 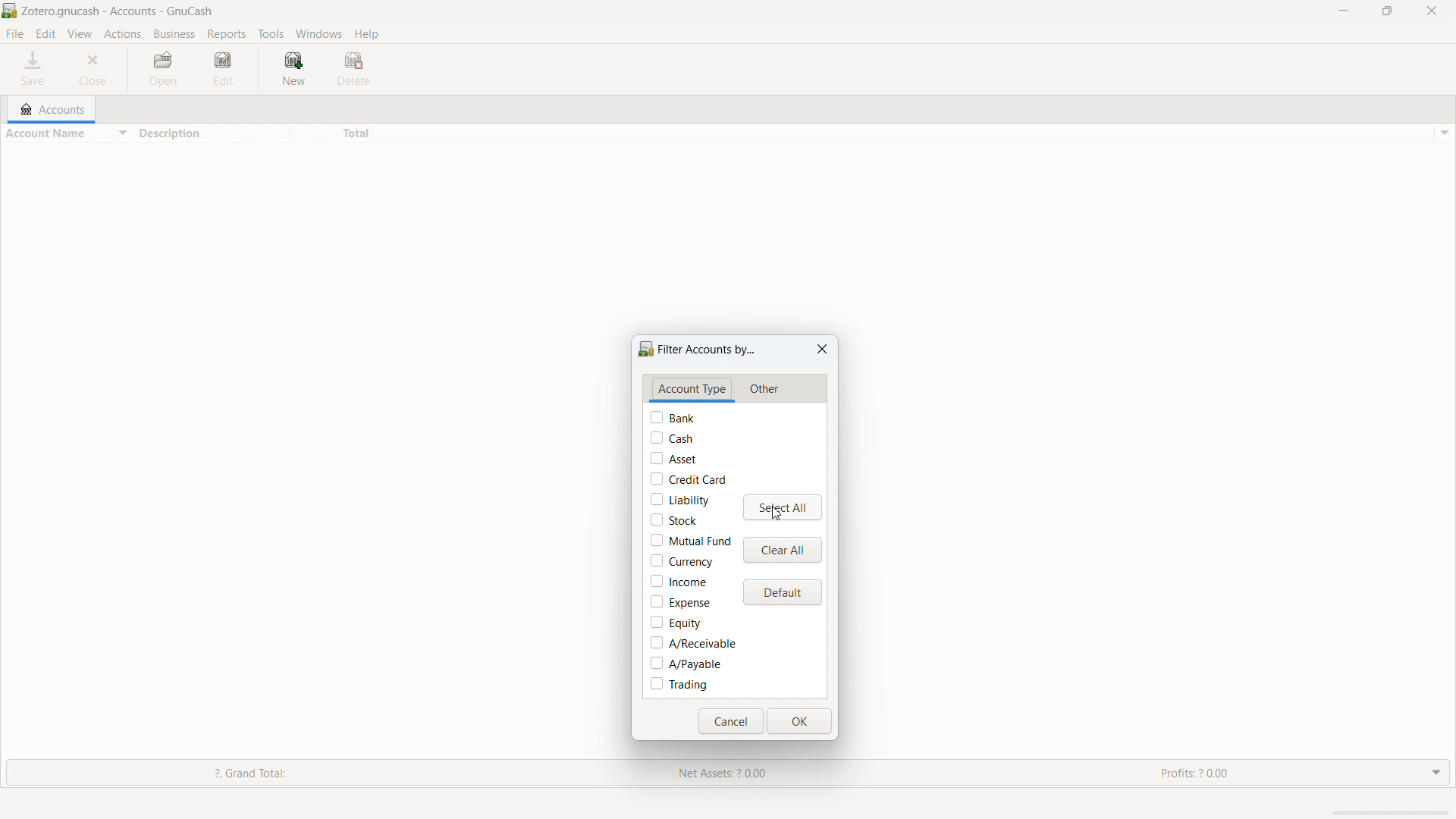 What do you see at coordinates (1394, 813) in the screenshot?
I see `scrollbar` at bounding box center [1394, 813].